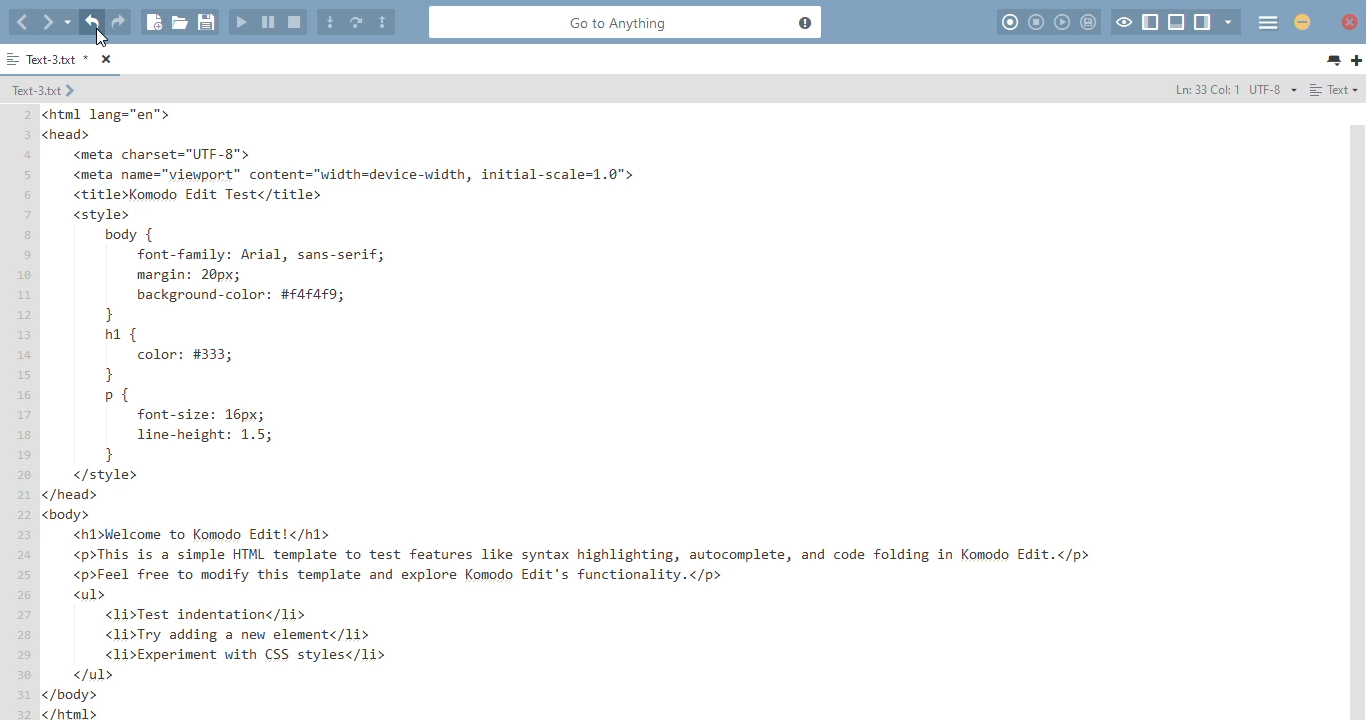 The height and width of the screenshot is (720, 1366). Describe the element at coordinates (102, 38) in the screenshot. I see `cursor` at that location.